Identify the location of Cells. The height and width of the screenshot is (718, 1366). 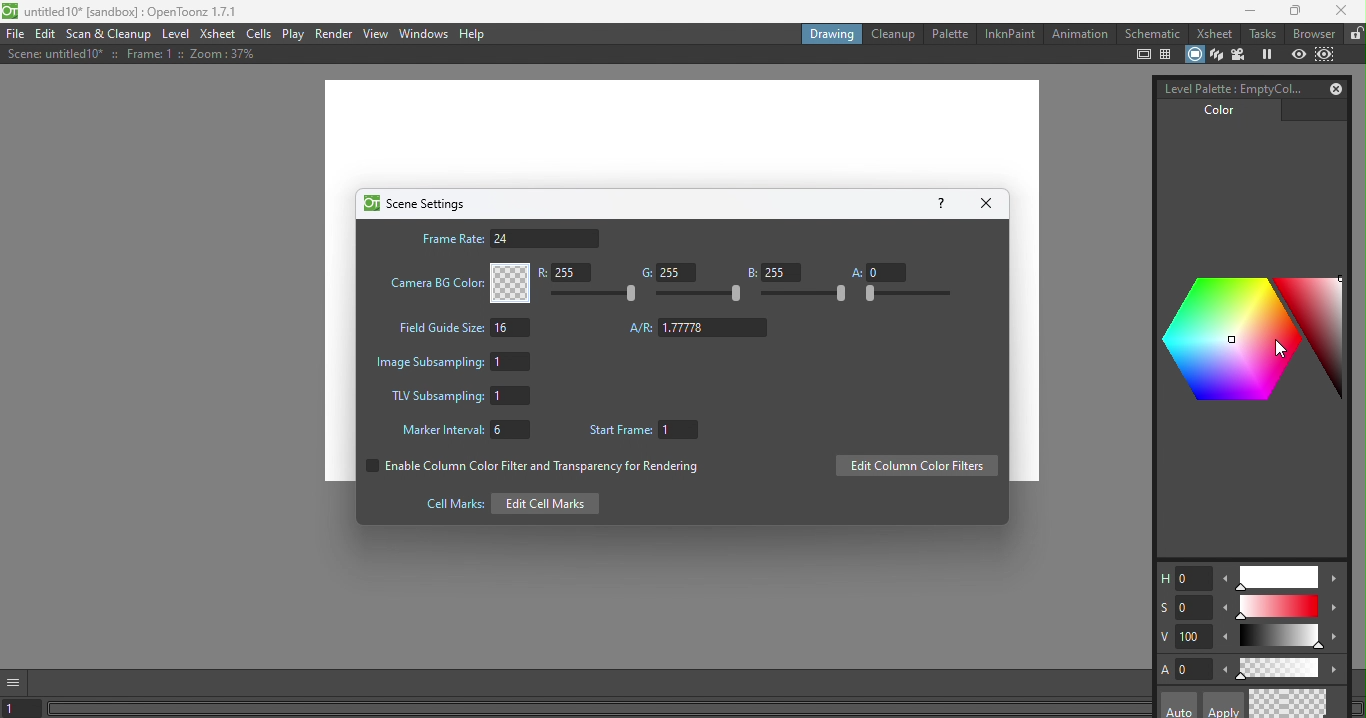
(260, 34).